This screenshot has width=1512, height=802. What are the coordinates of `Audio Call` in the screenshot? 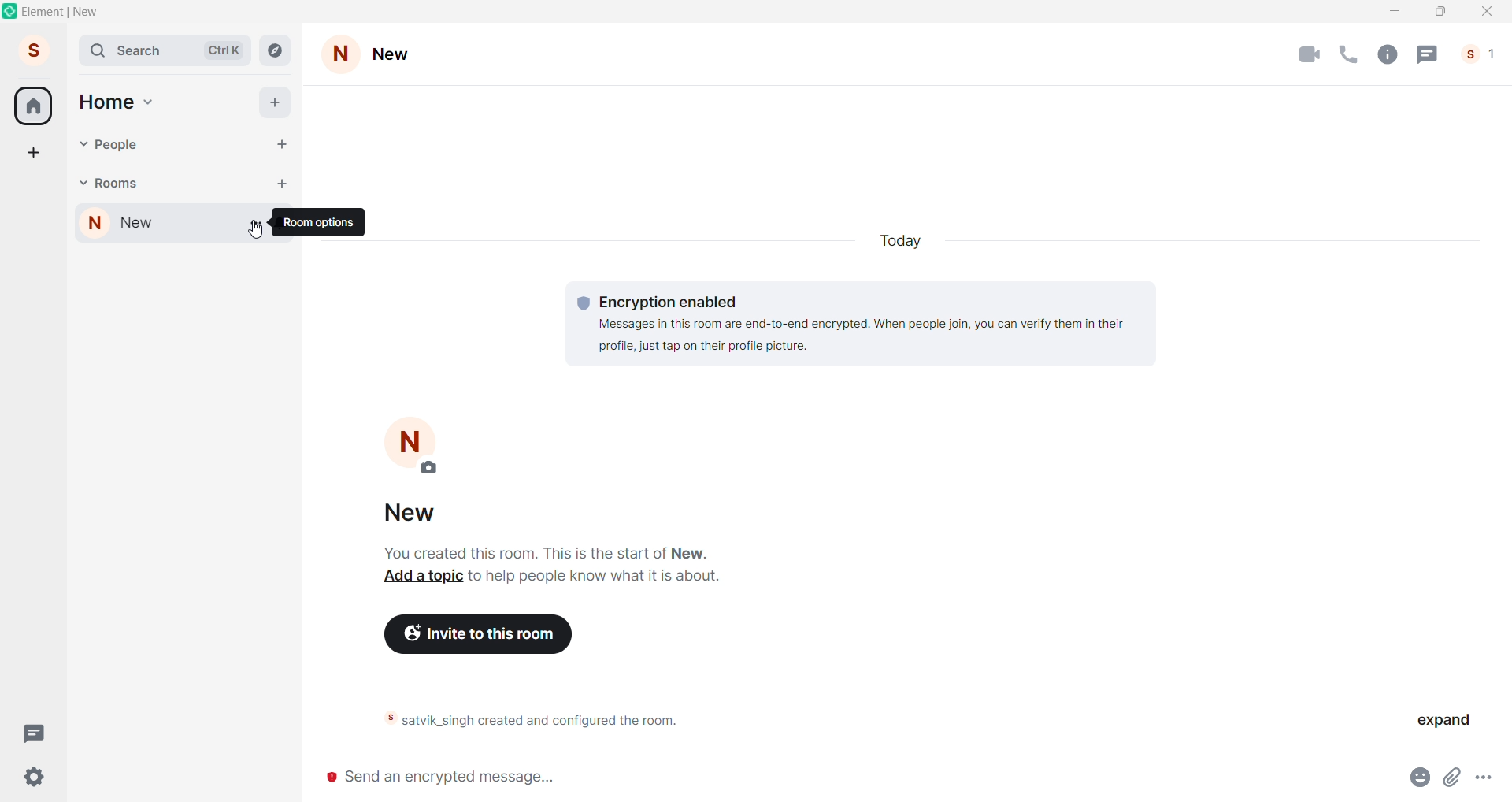 It's located at (1352, 54).